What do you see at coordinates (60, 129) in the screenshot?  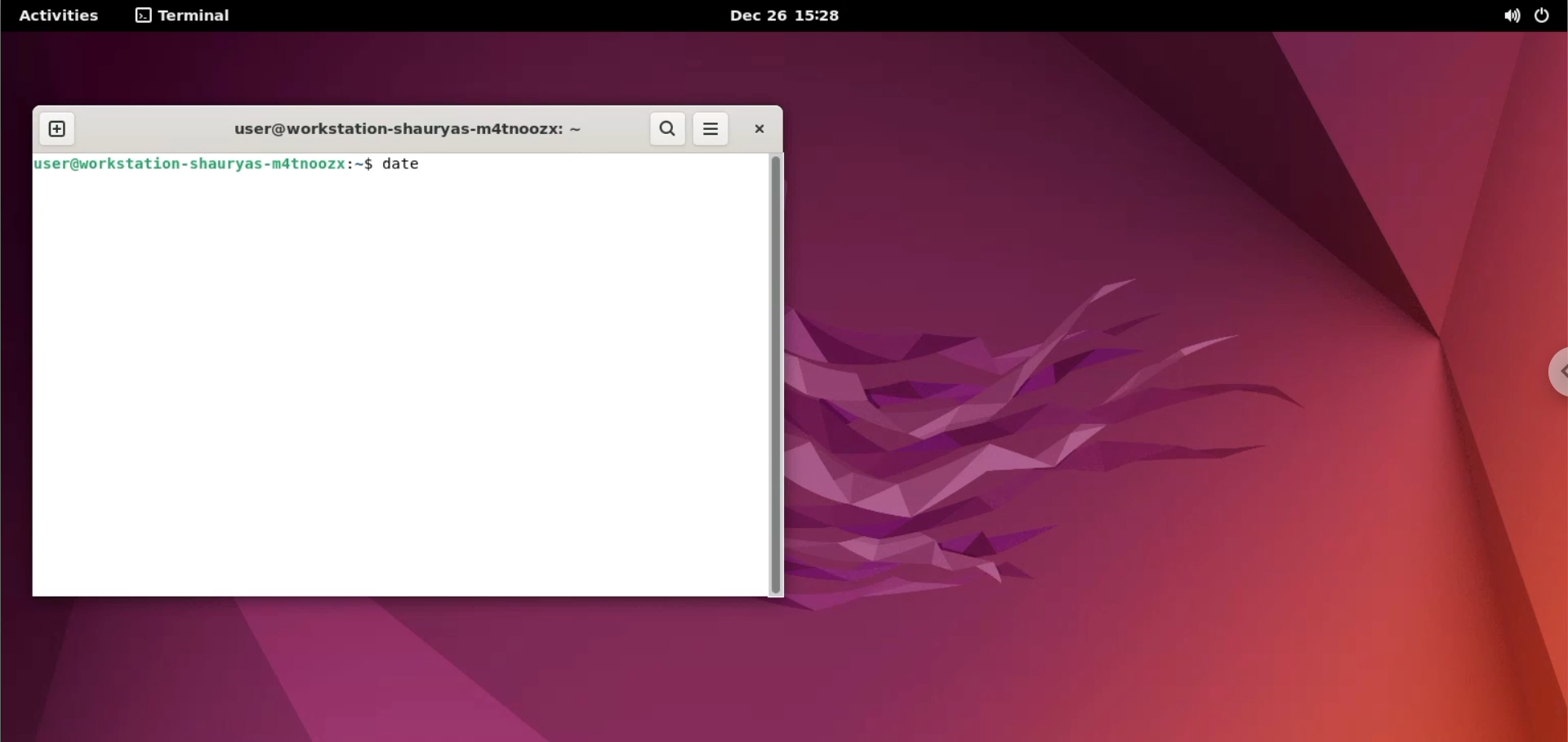 I see `new tab` at bounding box center [60, 129].